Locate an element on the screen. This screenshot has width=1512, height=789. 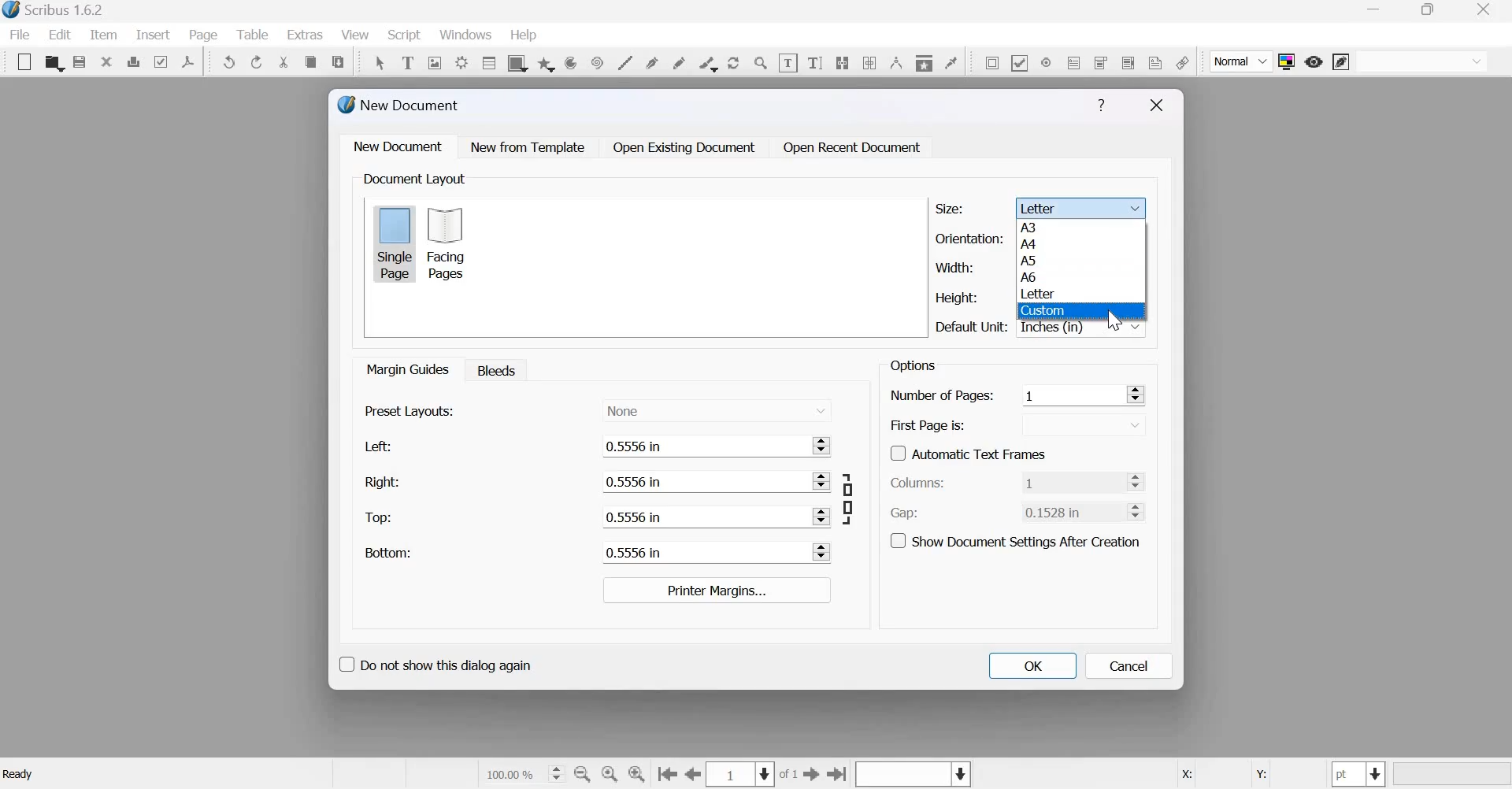
A6 is located at coordinates (1030, 276).